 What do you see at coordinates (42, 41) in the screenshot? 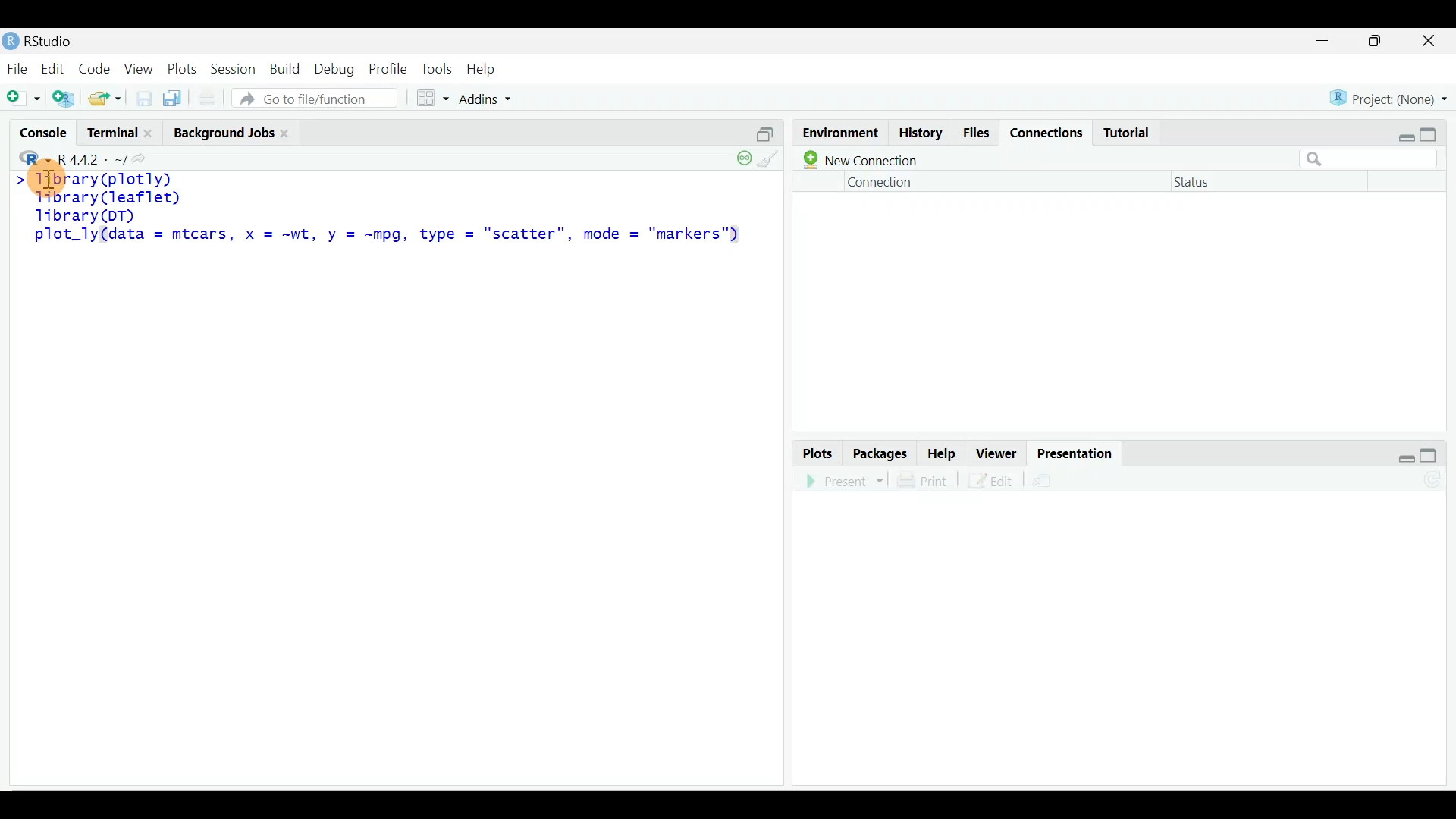
I see `RStudio` at bounding box center [42, 41].